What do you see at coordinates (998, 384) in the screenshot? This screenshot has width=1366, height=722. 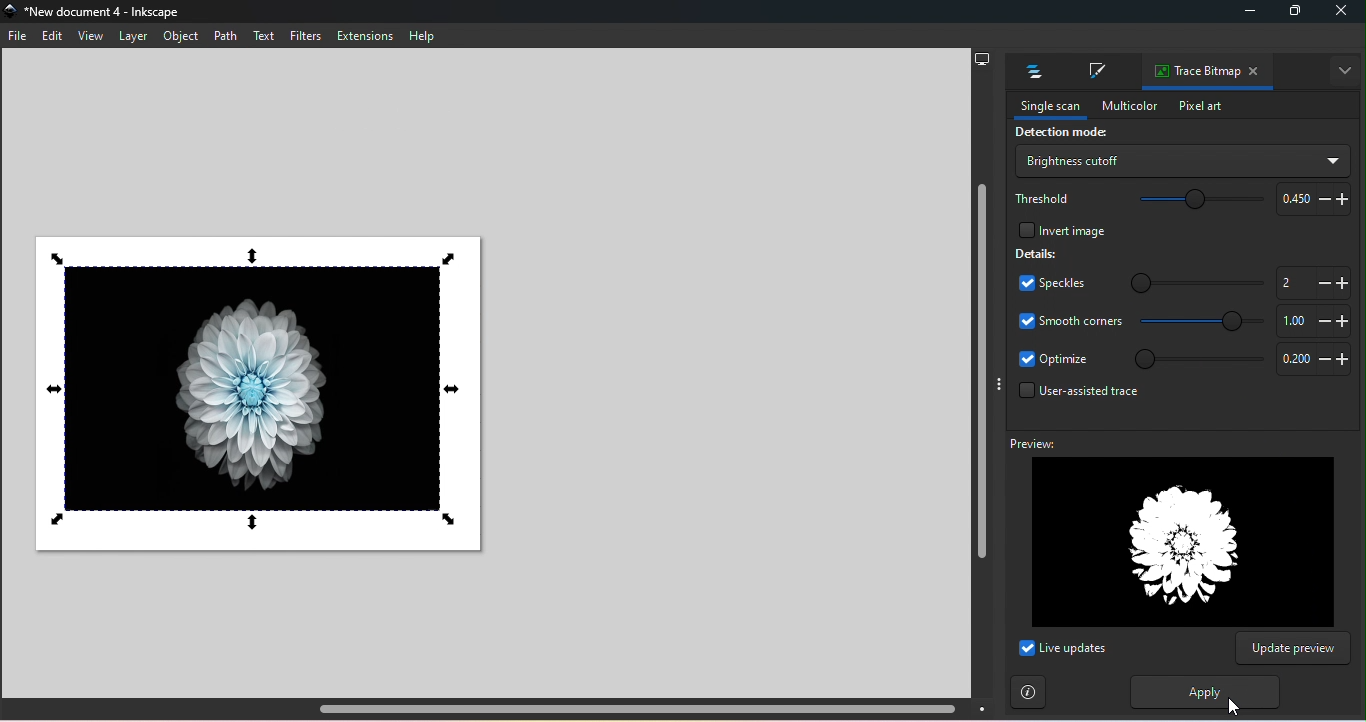 I see `Toggle display options` at bounding box center [998, 384].